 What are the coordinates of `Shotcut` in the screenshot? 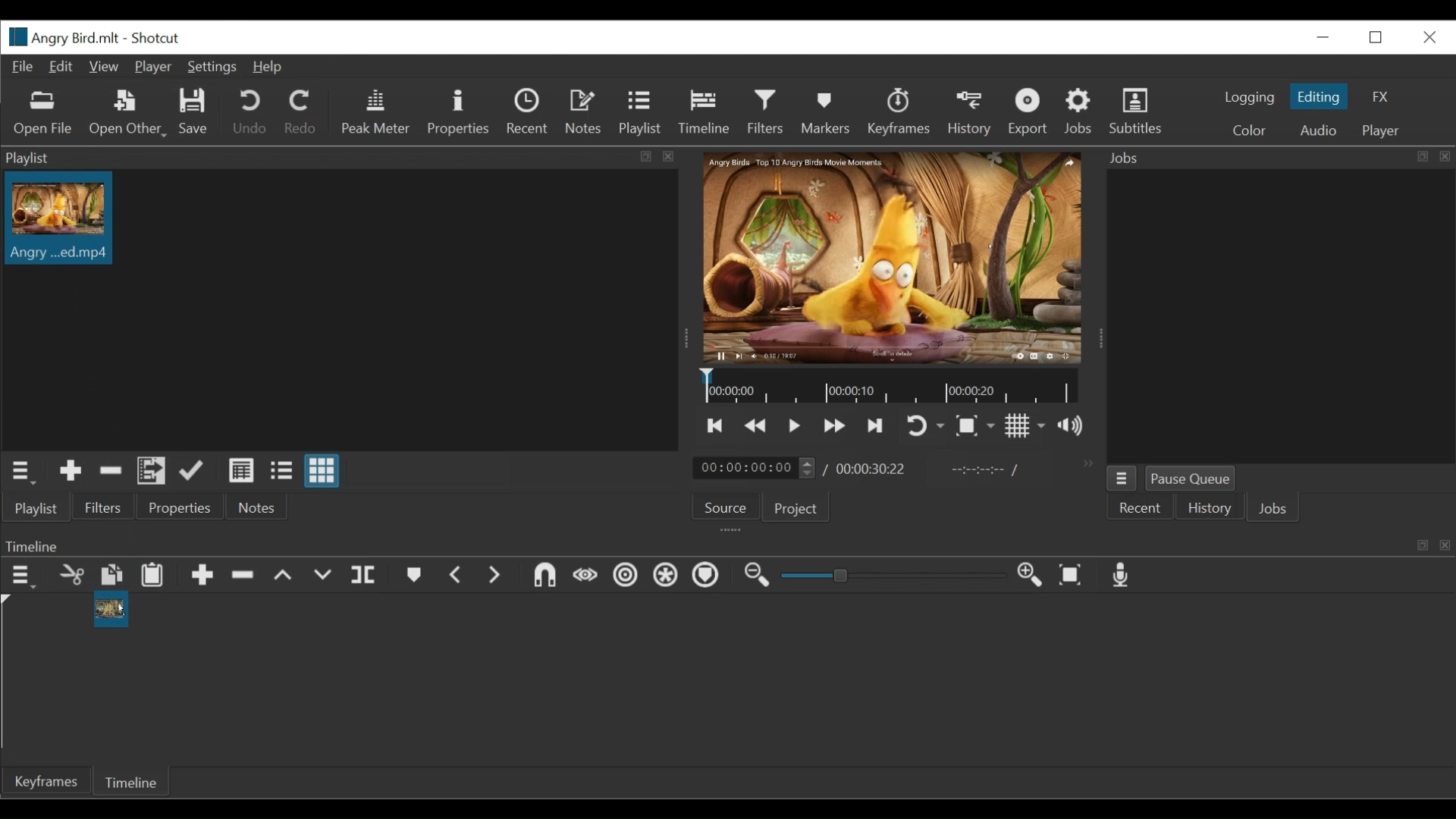 It's located at (158, 38).